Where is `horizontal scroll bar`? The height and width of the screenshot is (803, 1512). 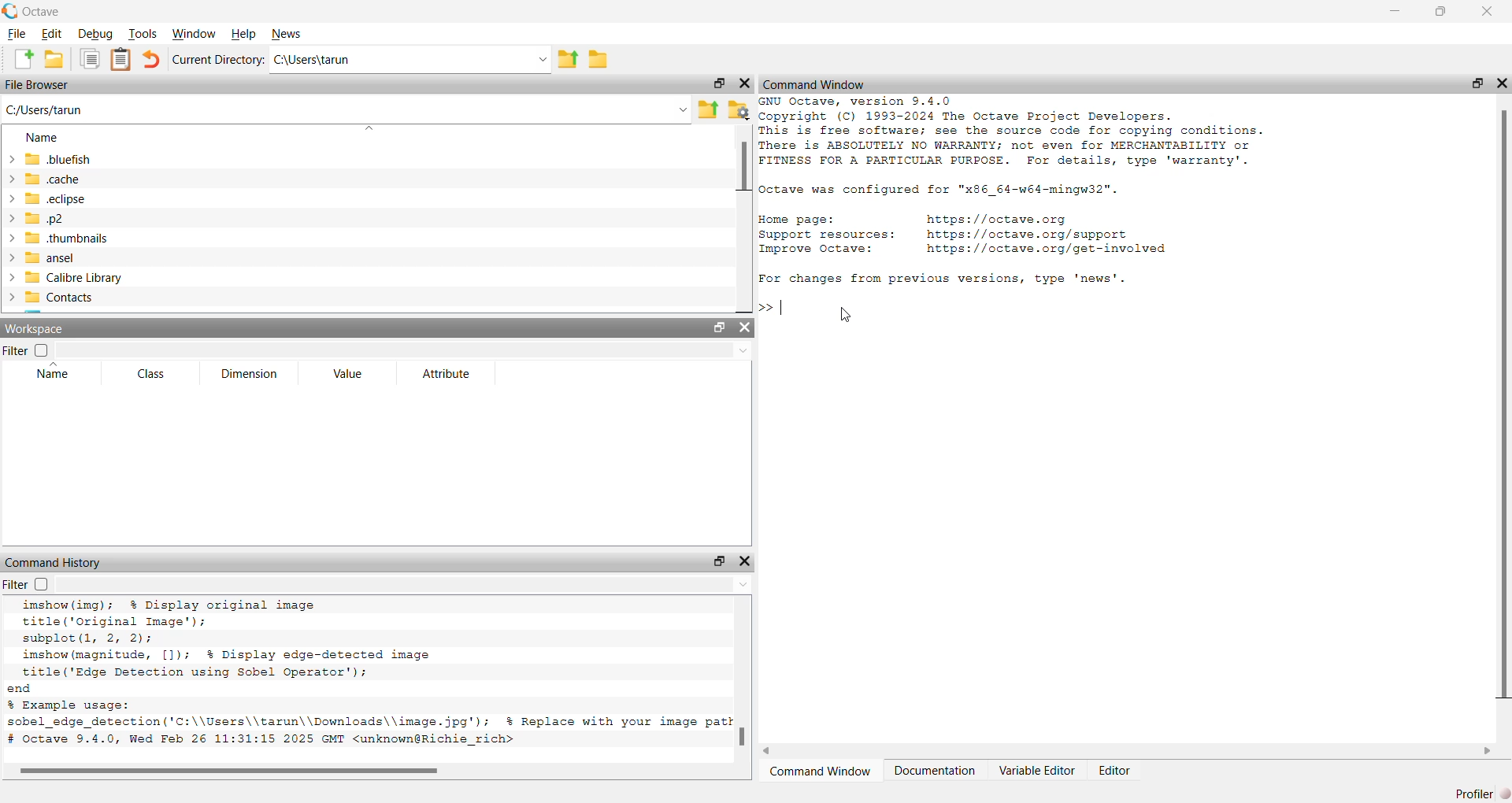
horizontal scroll bar is located at coordinates (369, 772).